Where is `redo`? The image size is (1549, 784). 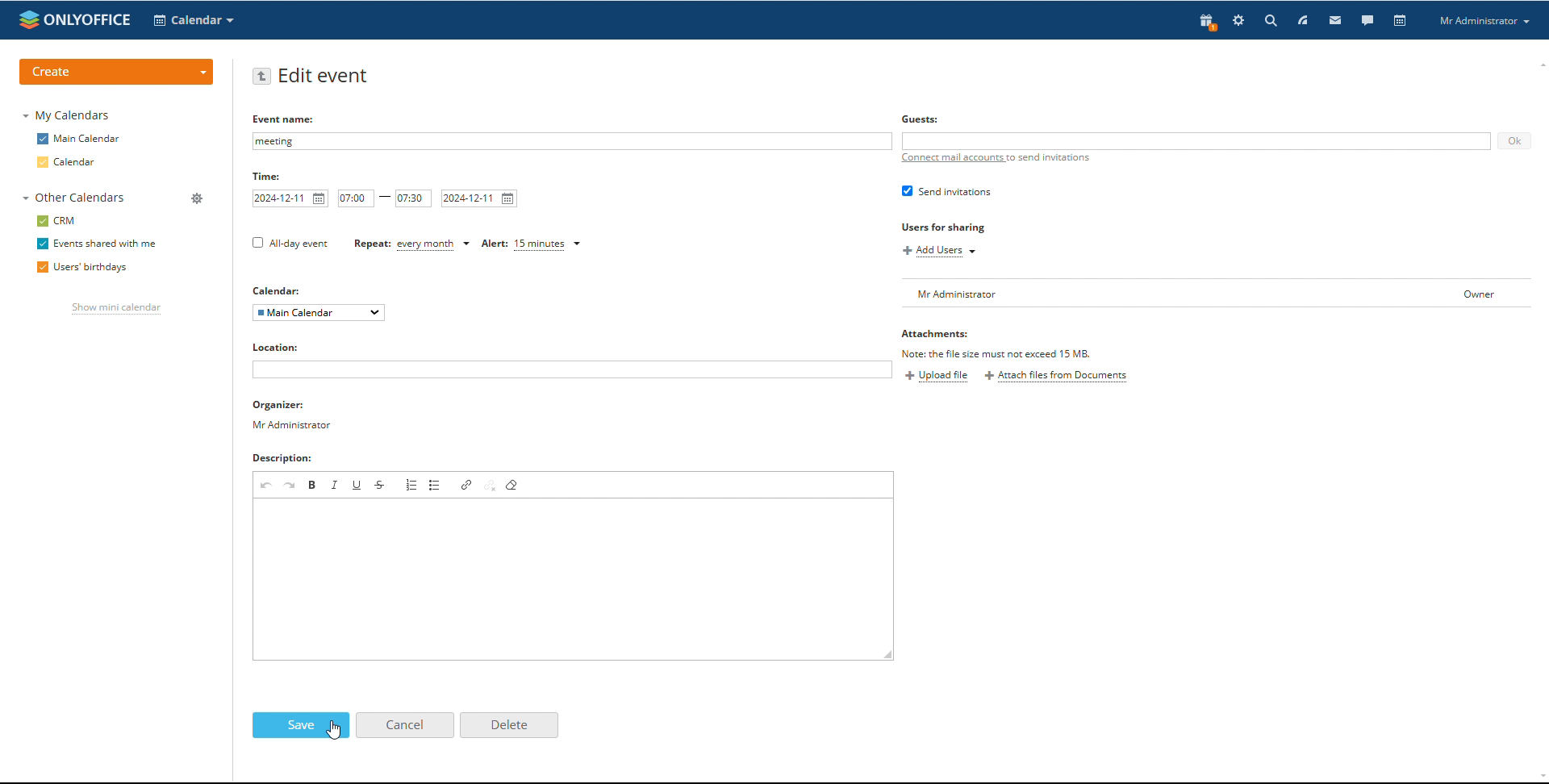
redo is located at coordinates (290, 484).